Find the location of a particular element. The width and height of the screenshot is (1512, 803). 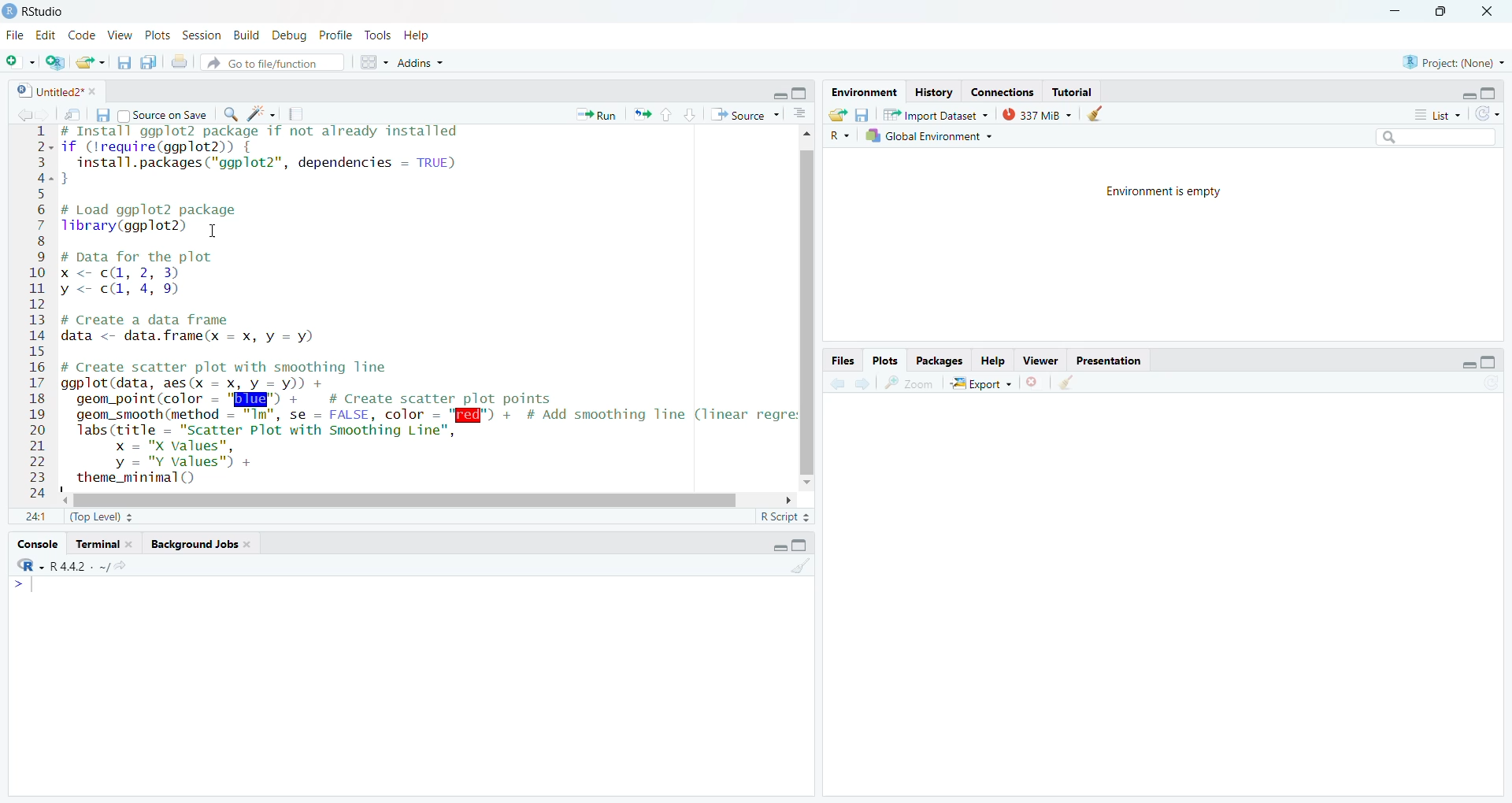

hide console is located at coordinates (1490, 361).